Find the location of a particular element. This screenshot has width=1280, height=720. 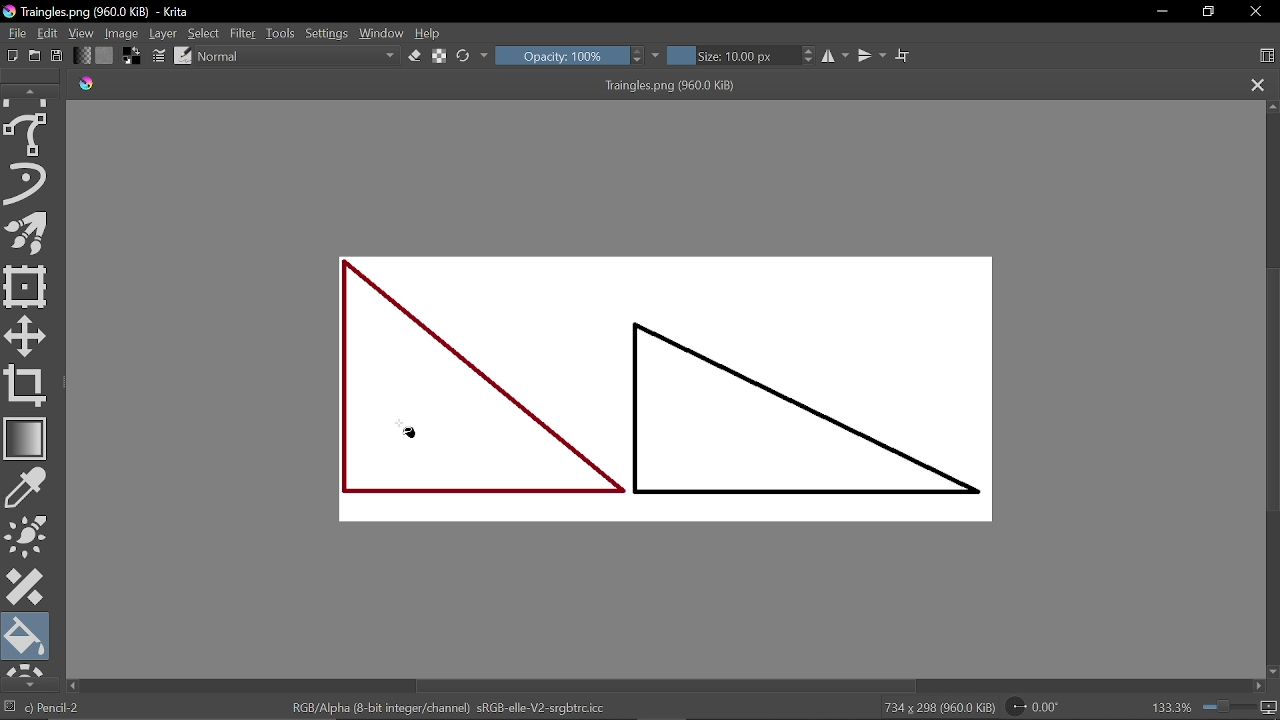

Minimize is located at coordinates (1159, 12).